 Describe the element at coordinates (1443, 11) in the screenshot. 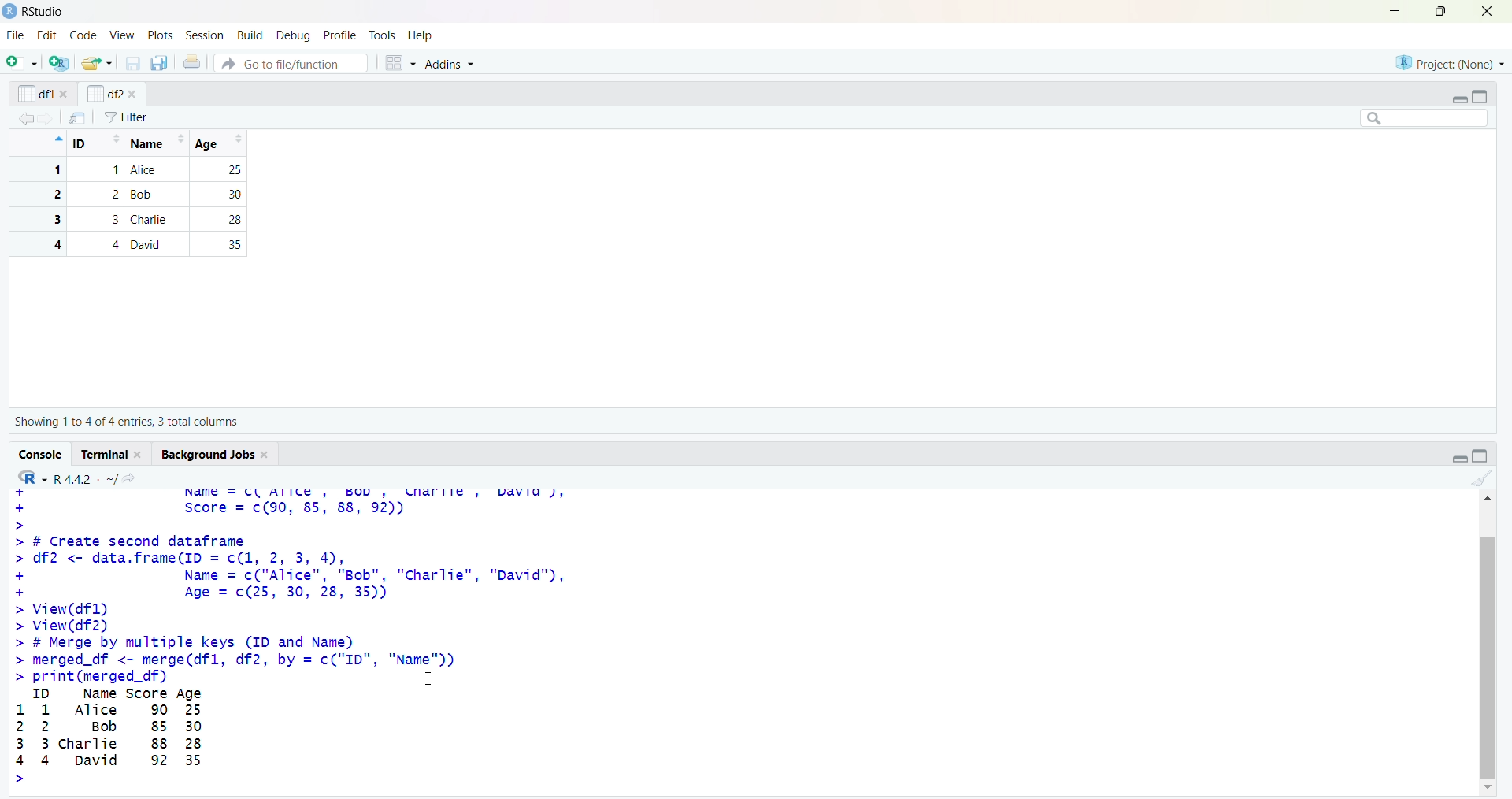

I see `maximize` at that location.